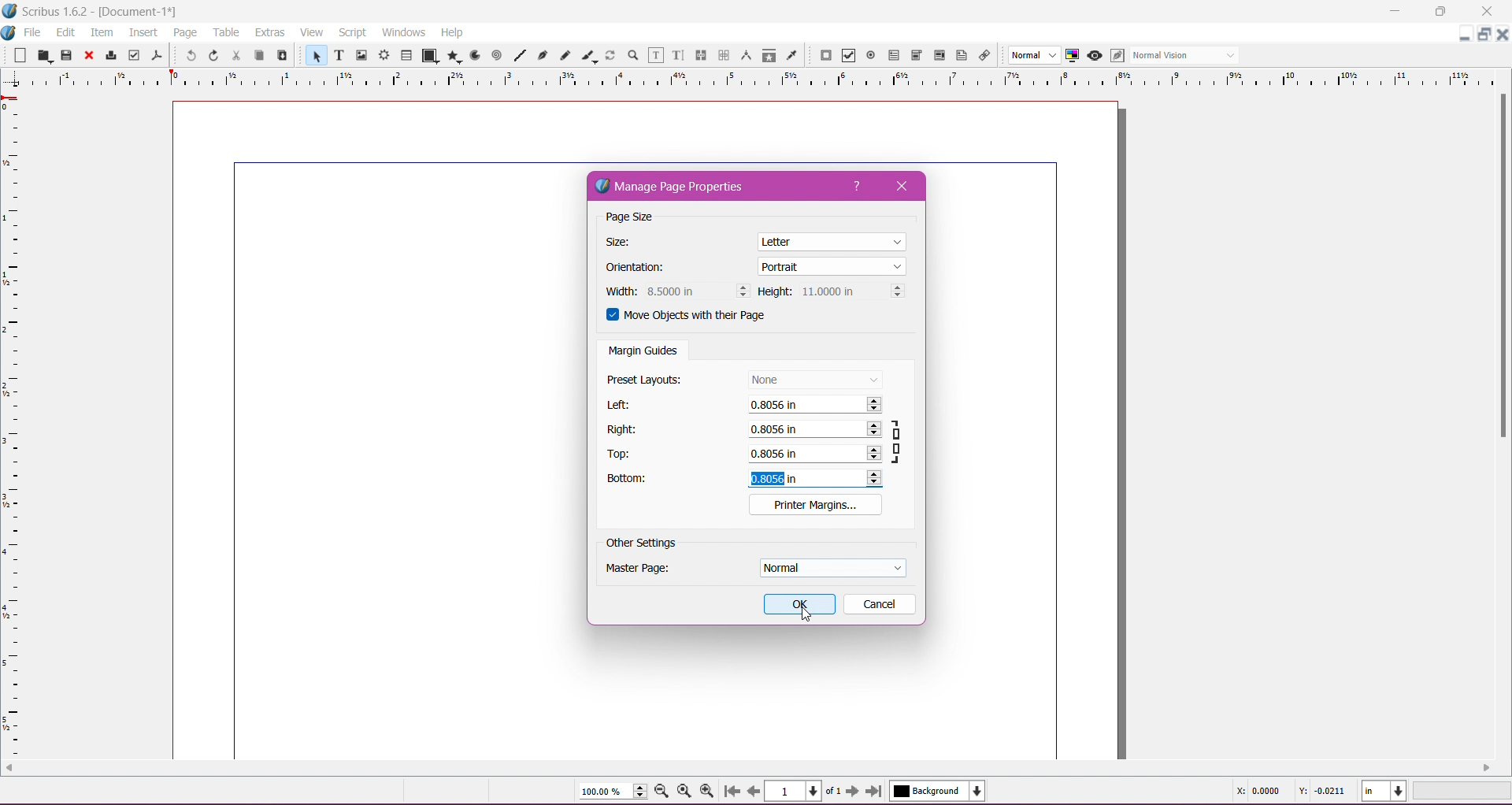 The height and width of the screenshot is (805, 1512). What do you see at coordinates (352, 32) in the screenshot?
I see `Script` at bounding box center [352, 32].